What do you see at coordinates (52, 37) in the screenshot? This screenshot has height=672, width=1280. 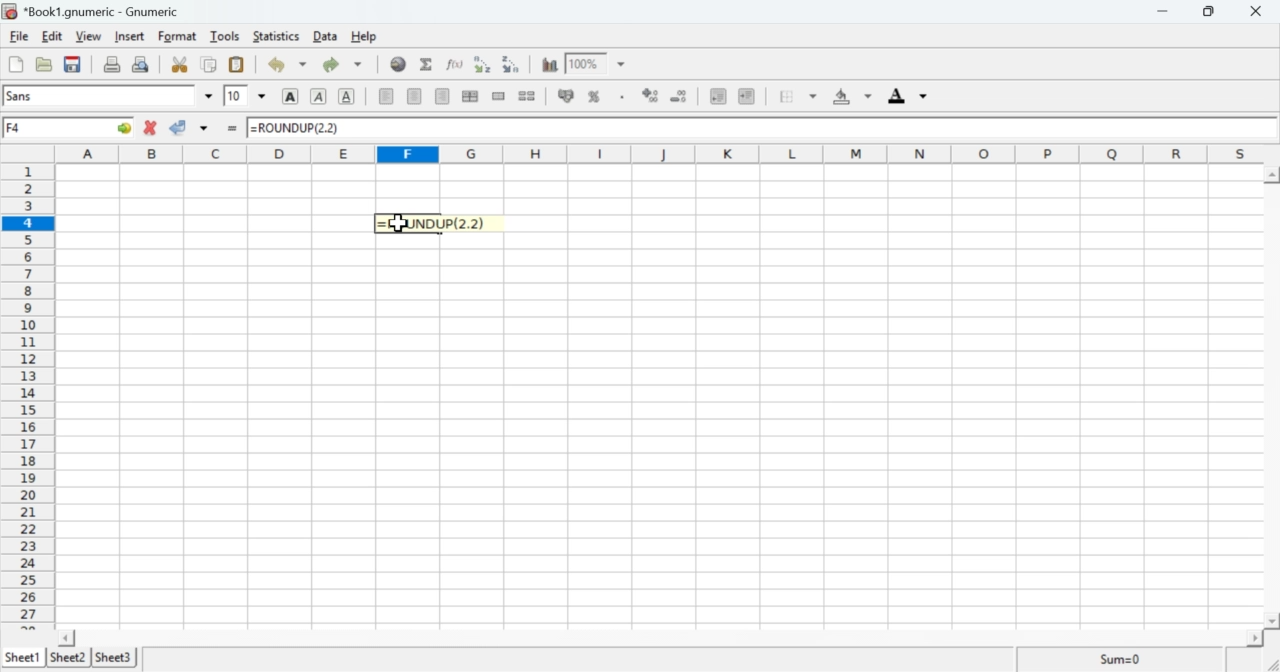 I see `Edit` at bounding box center [52, 37].